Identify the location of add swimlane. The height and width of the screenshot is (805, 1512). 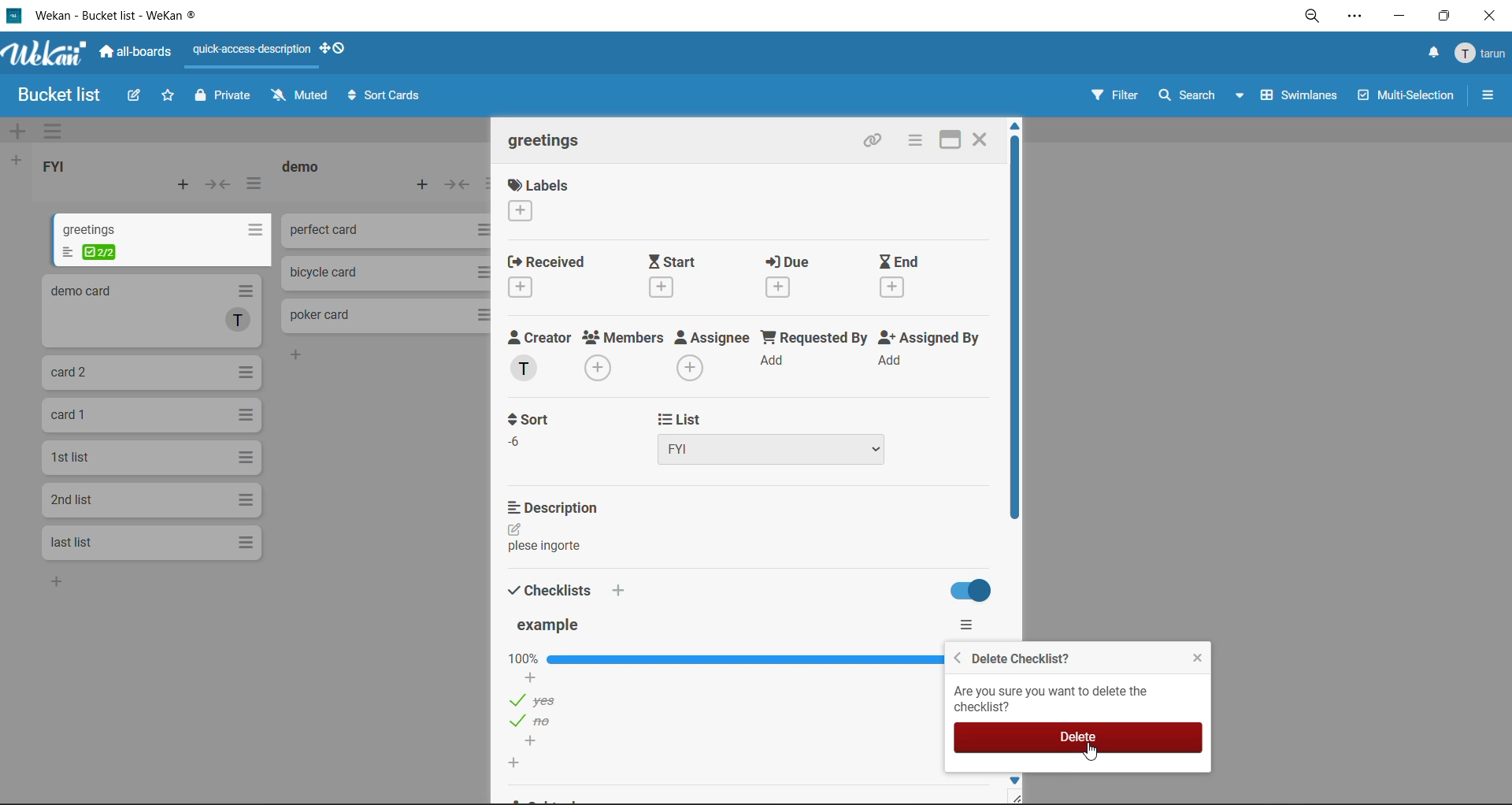
(18, 129).